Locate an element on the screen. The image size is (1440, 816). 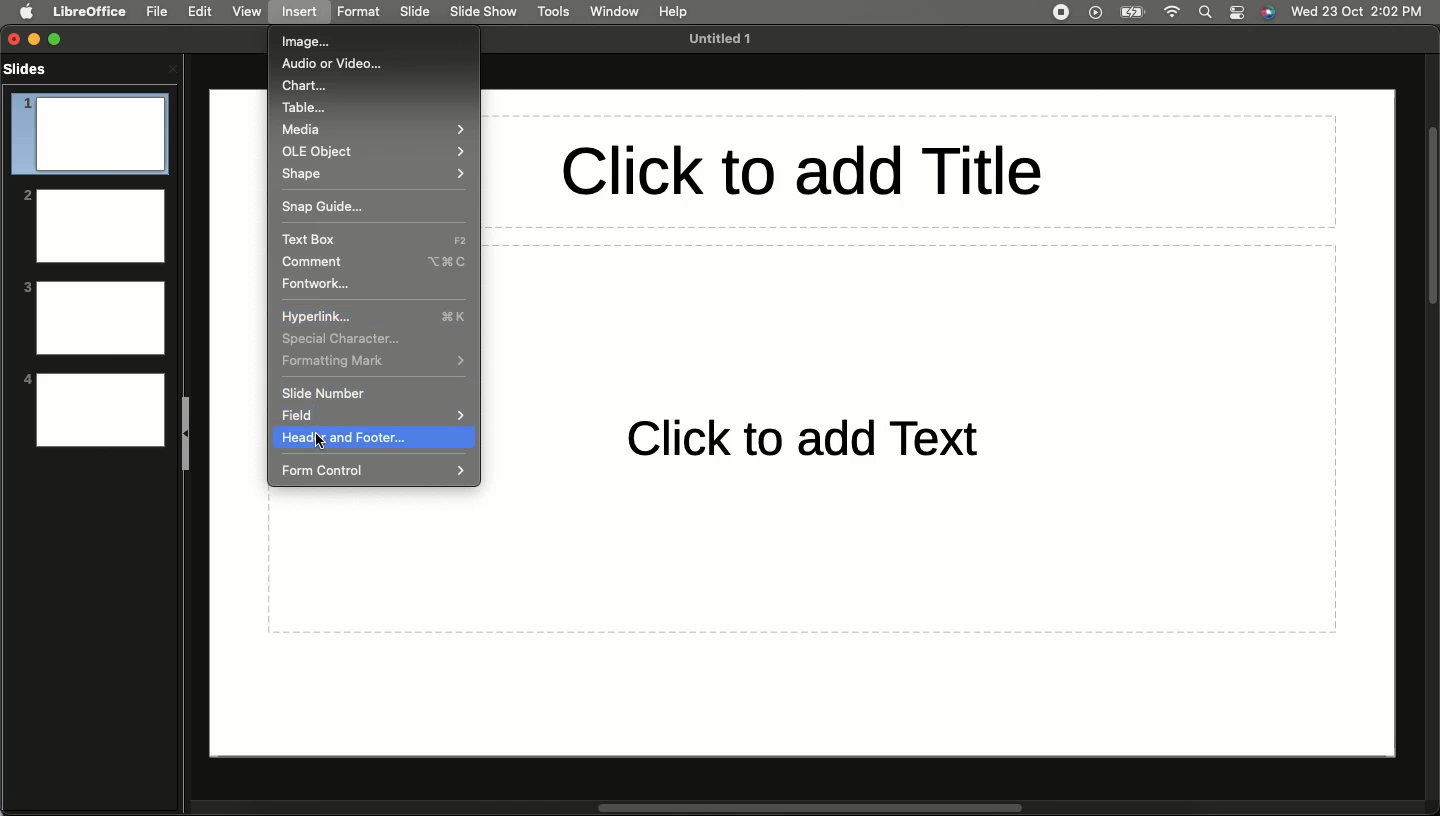
Hyperlink is located at coordinates (377, 316).